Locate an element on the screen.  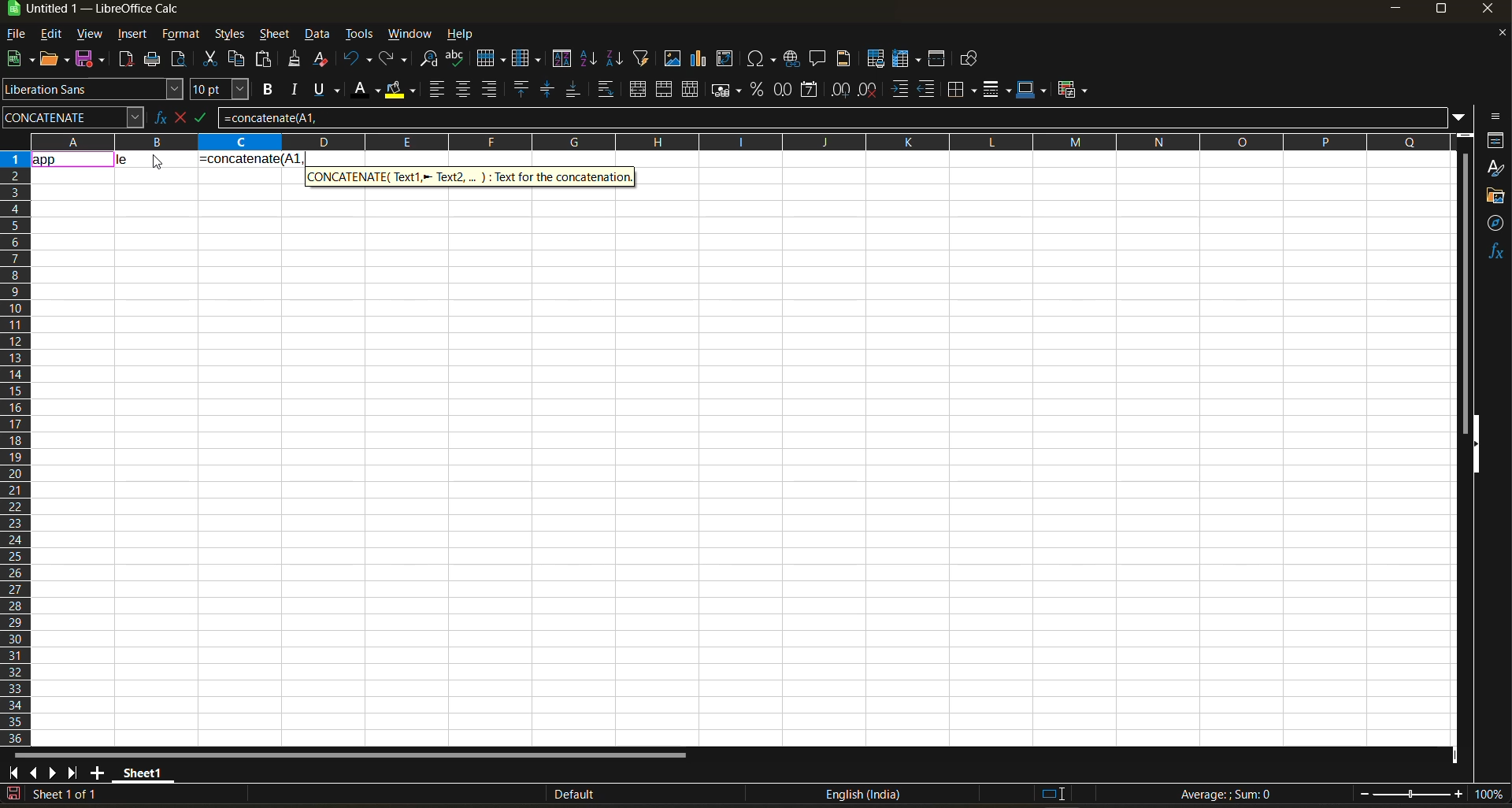
increase indent is located at coordinates (902, 90).